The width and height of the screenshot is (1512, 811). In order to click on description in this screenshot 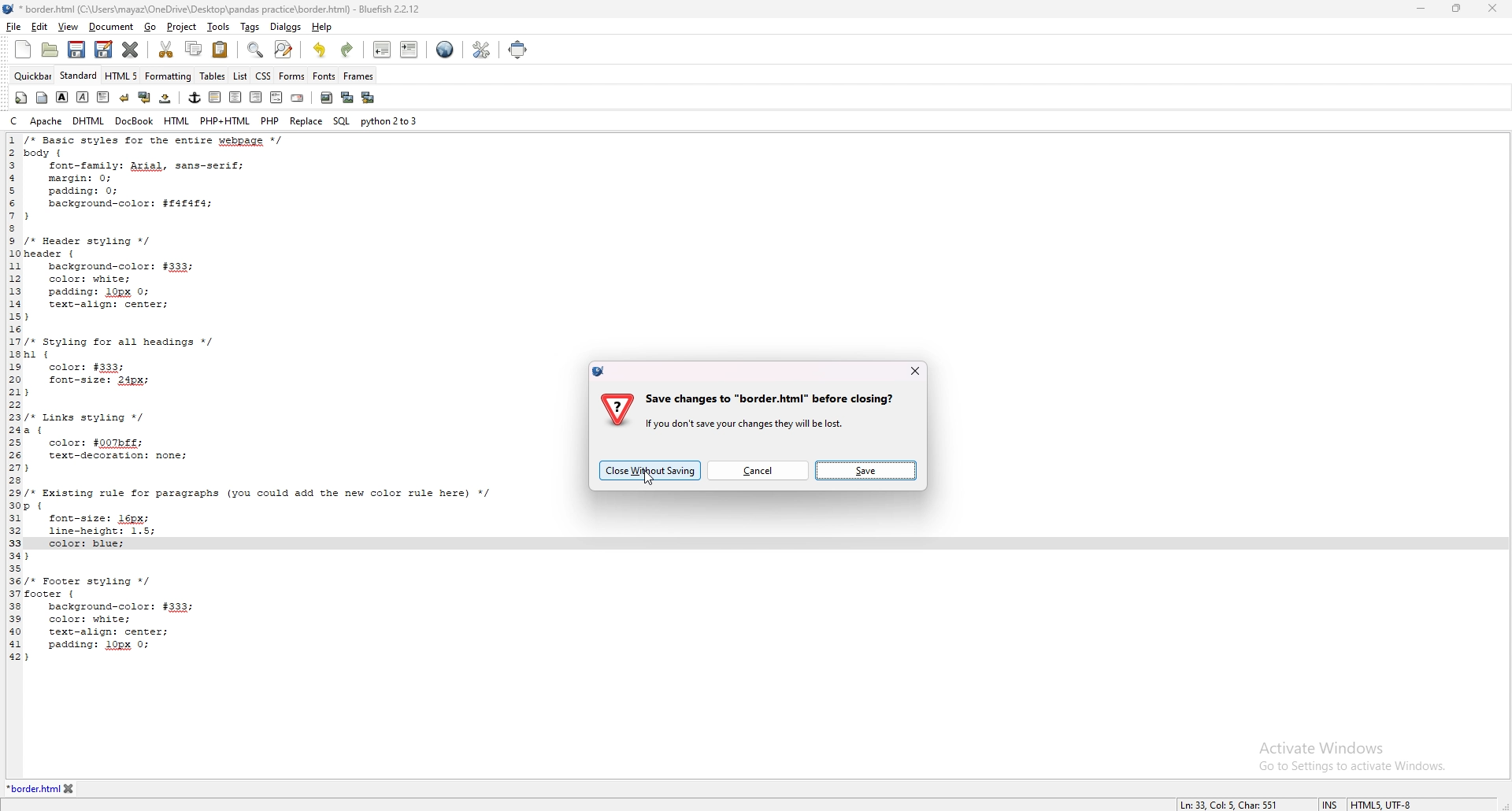, I will do `click(1229, 802)`.